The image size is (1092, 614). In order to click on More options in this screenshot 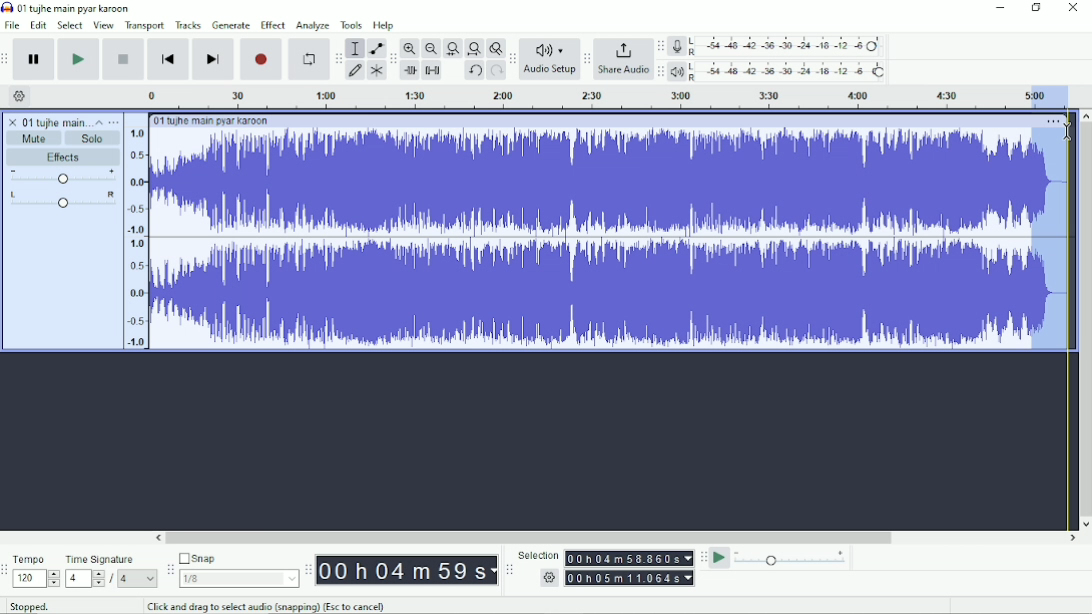, I will do `click(1054, 121)`.